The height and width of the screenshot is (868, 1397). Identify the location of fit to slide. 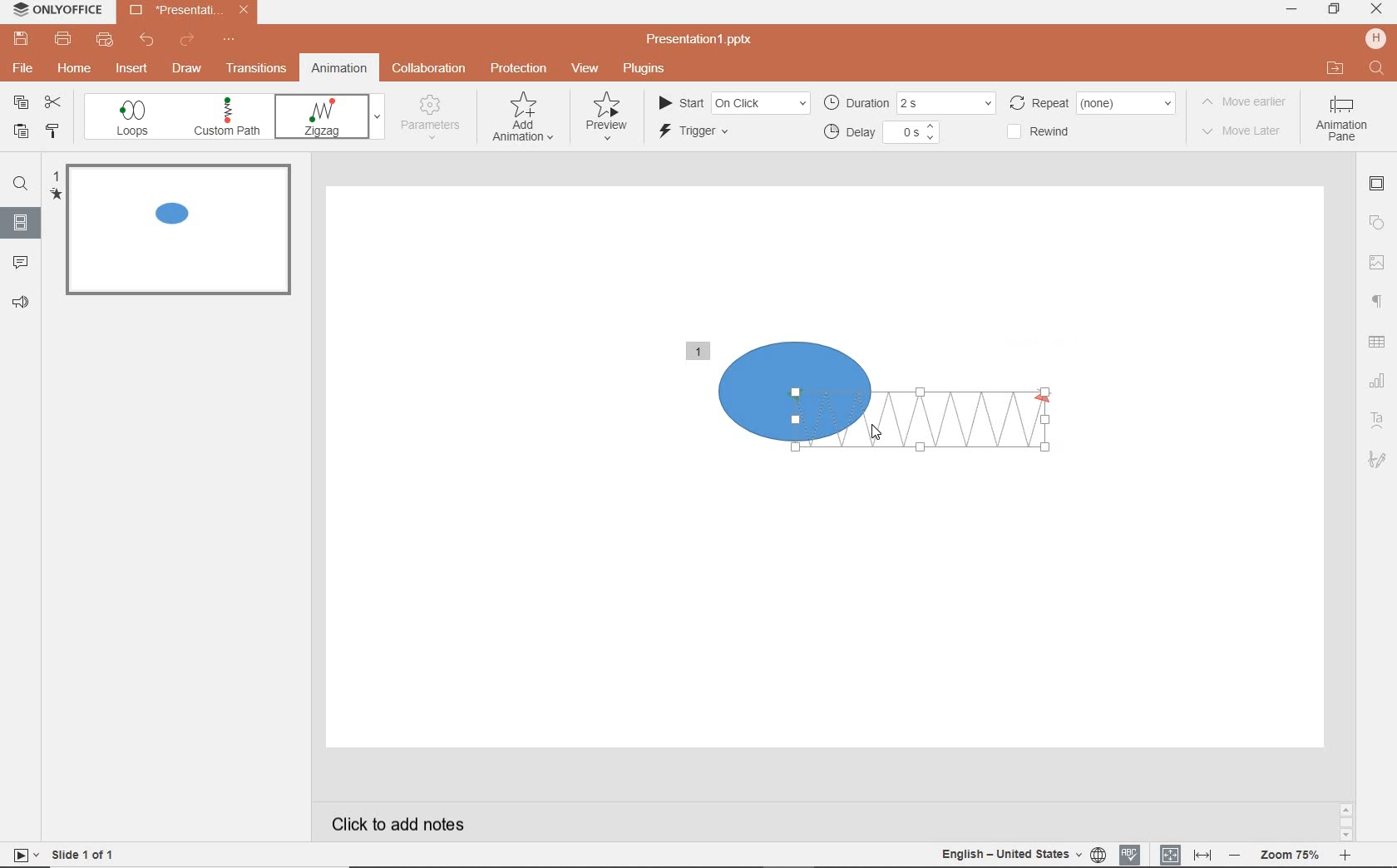
(1171, 851).